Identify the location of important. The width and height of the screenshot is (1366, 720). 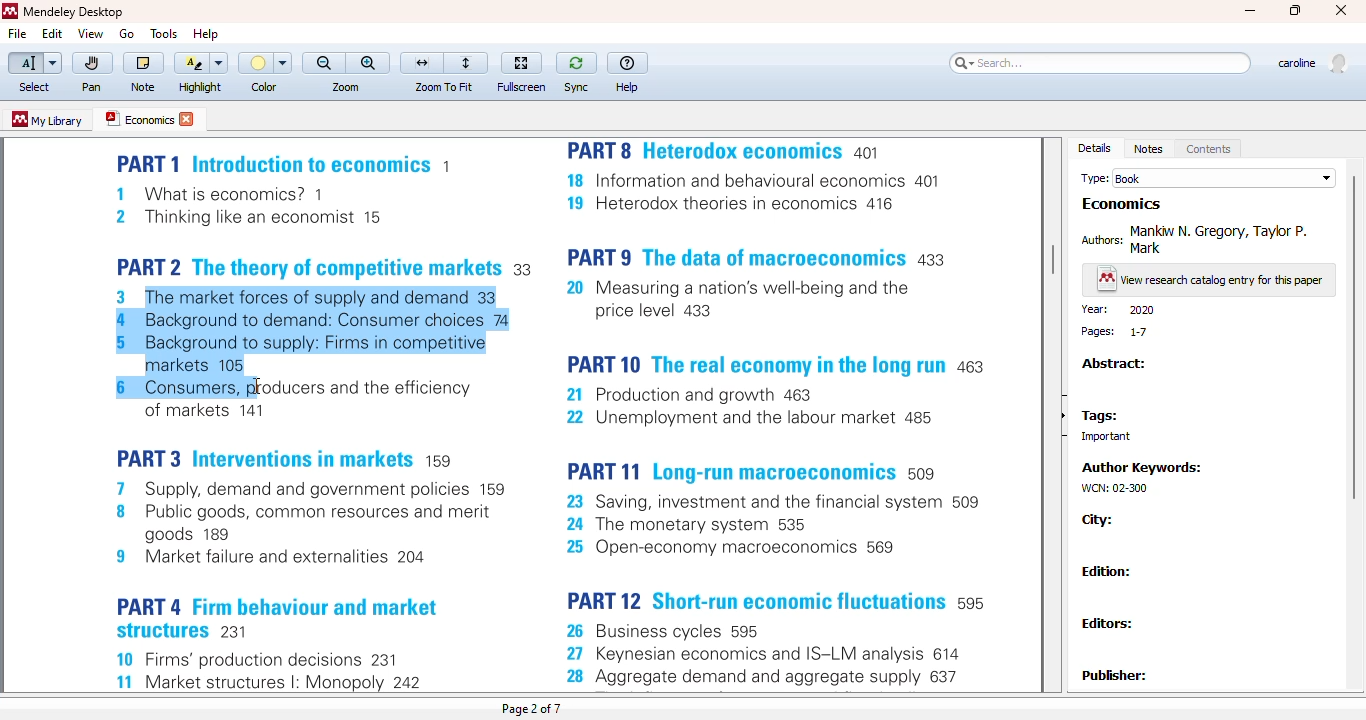
(1099, 437).